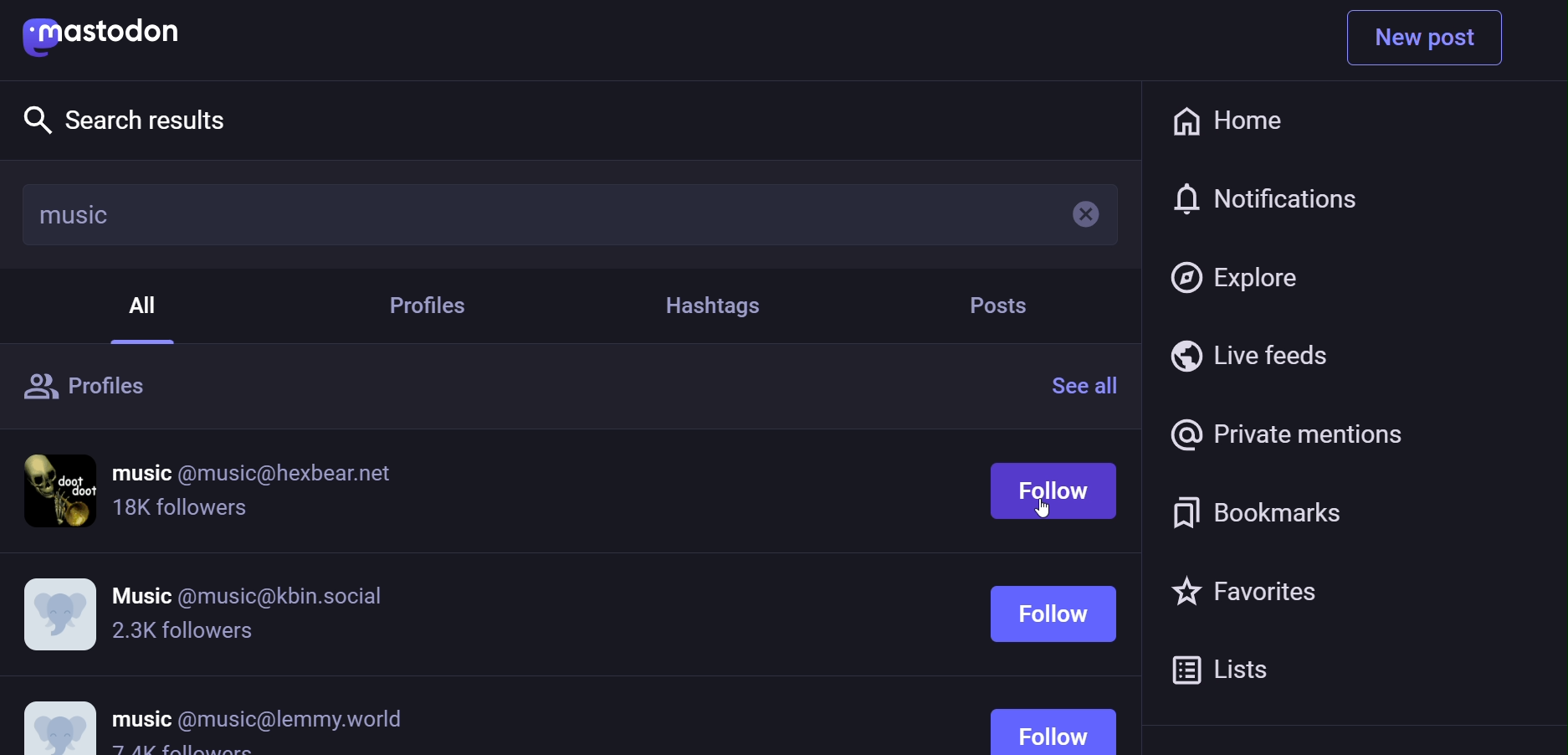 The image size is (1568, 755). Describe the element at coordinates (711, 305) in the screenshot. I see `hashtag` at that location.